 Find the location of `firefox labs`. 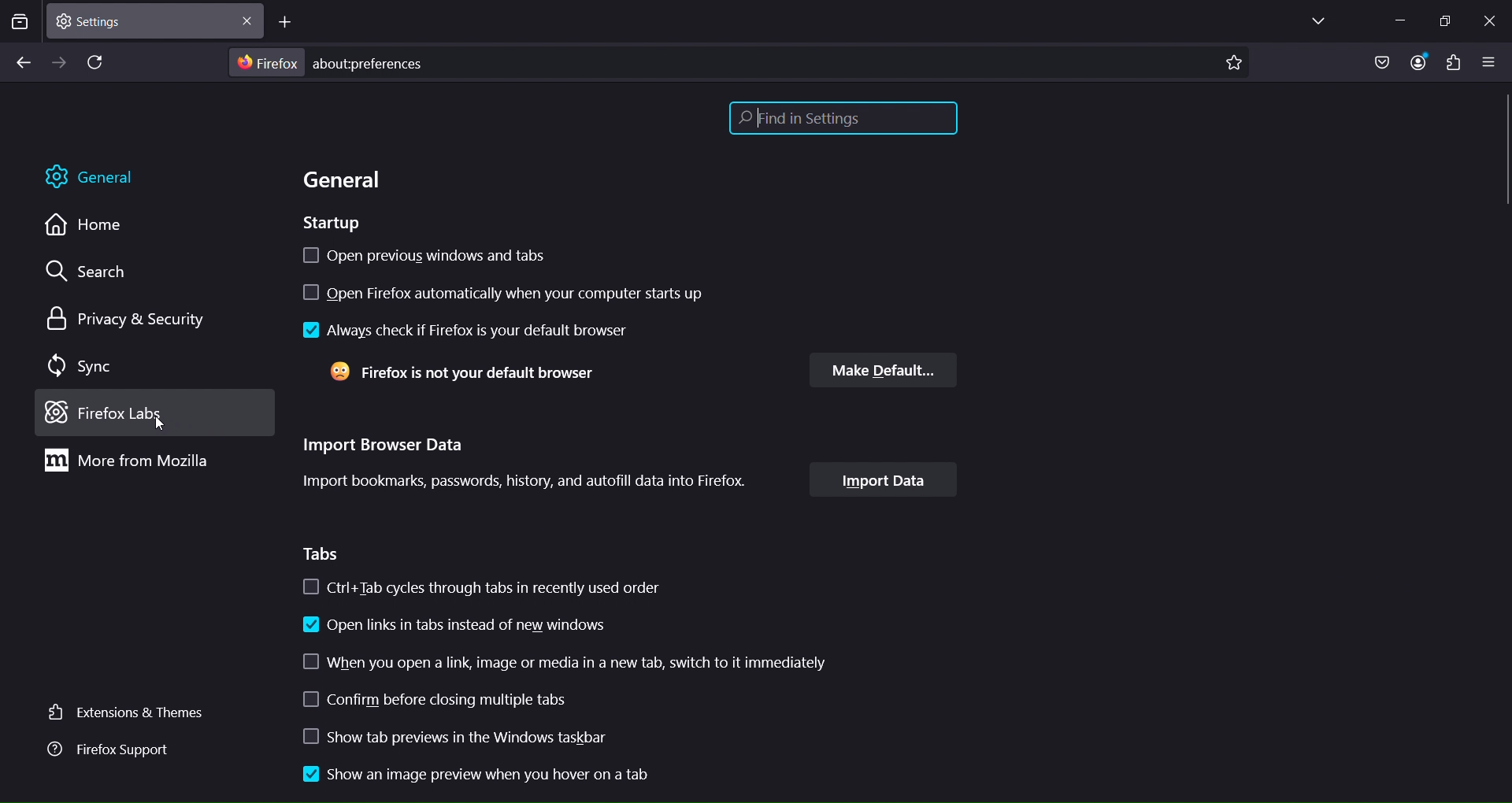

firefox labs is located at coordinates (128, 413).